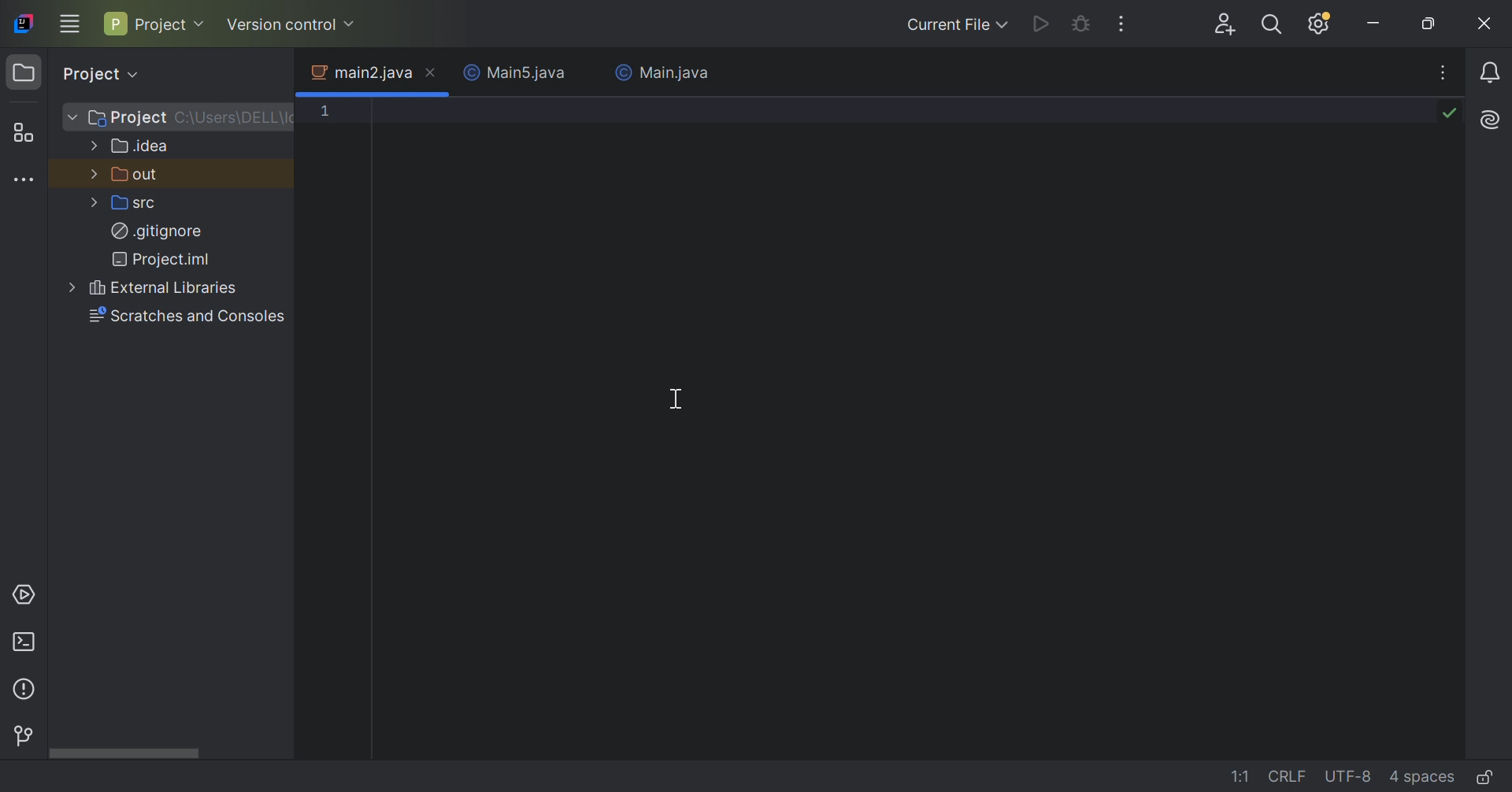 The width and height of the screenshot is (1512, 792). What do you see at coordinates (136, 202) in the screenshot?
I see `src` at bounding box center [136, 202].